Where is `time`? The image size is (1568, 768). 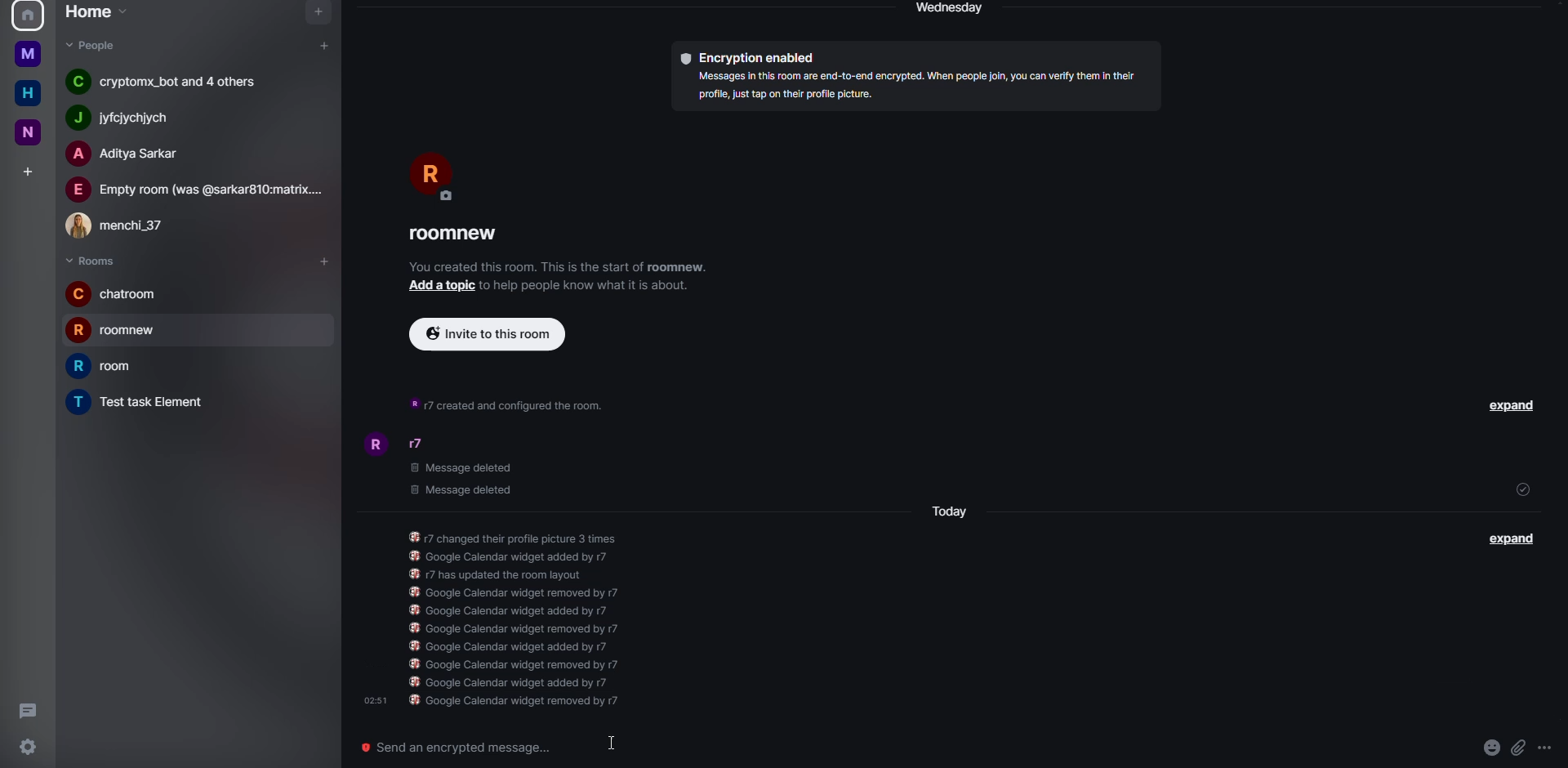 time is located at coordinates (374, 699).